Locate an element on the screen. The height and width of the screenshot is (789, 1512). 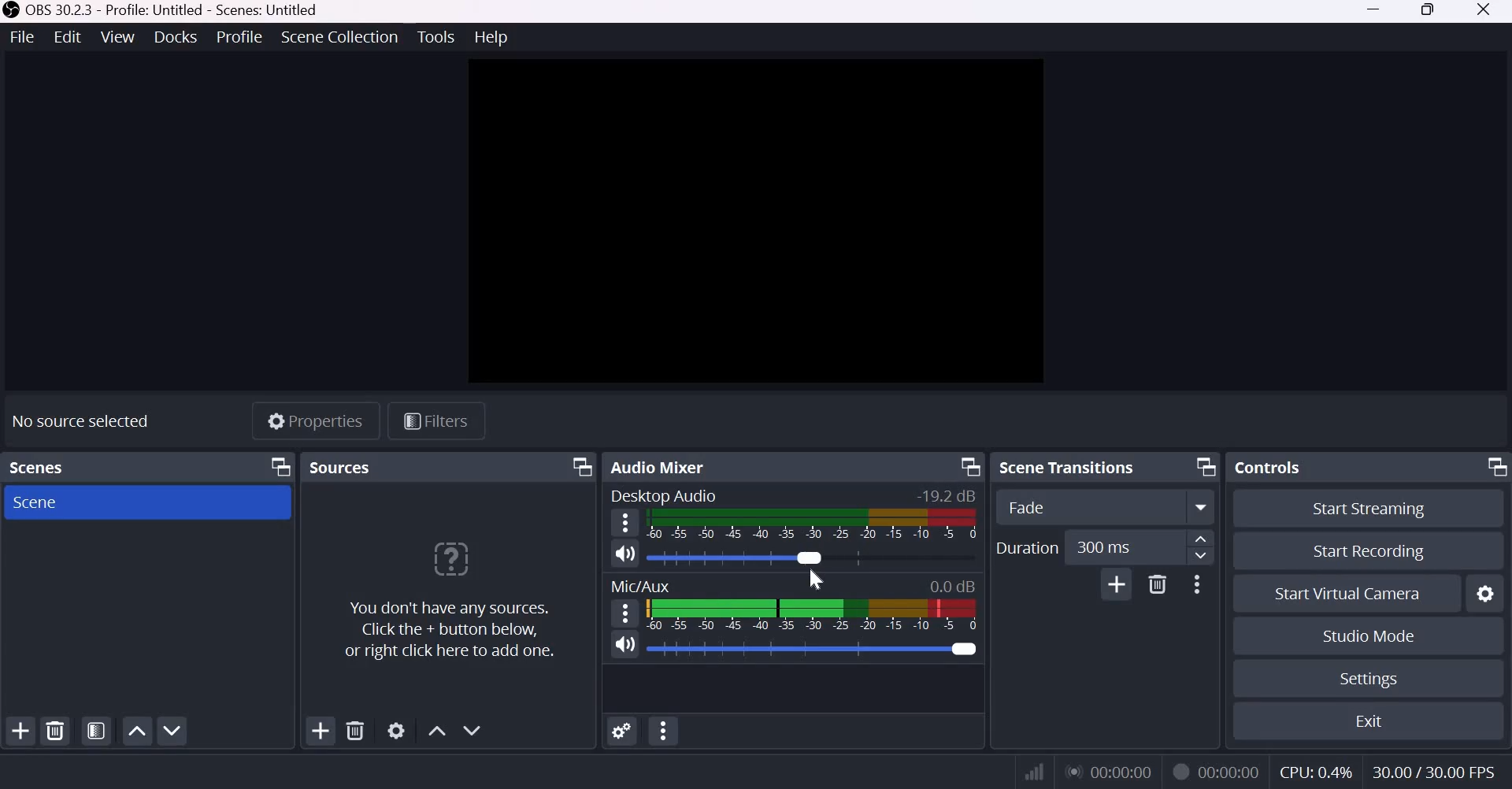
Start Streaming is located at coordinates (1362, 509).